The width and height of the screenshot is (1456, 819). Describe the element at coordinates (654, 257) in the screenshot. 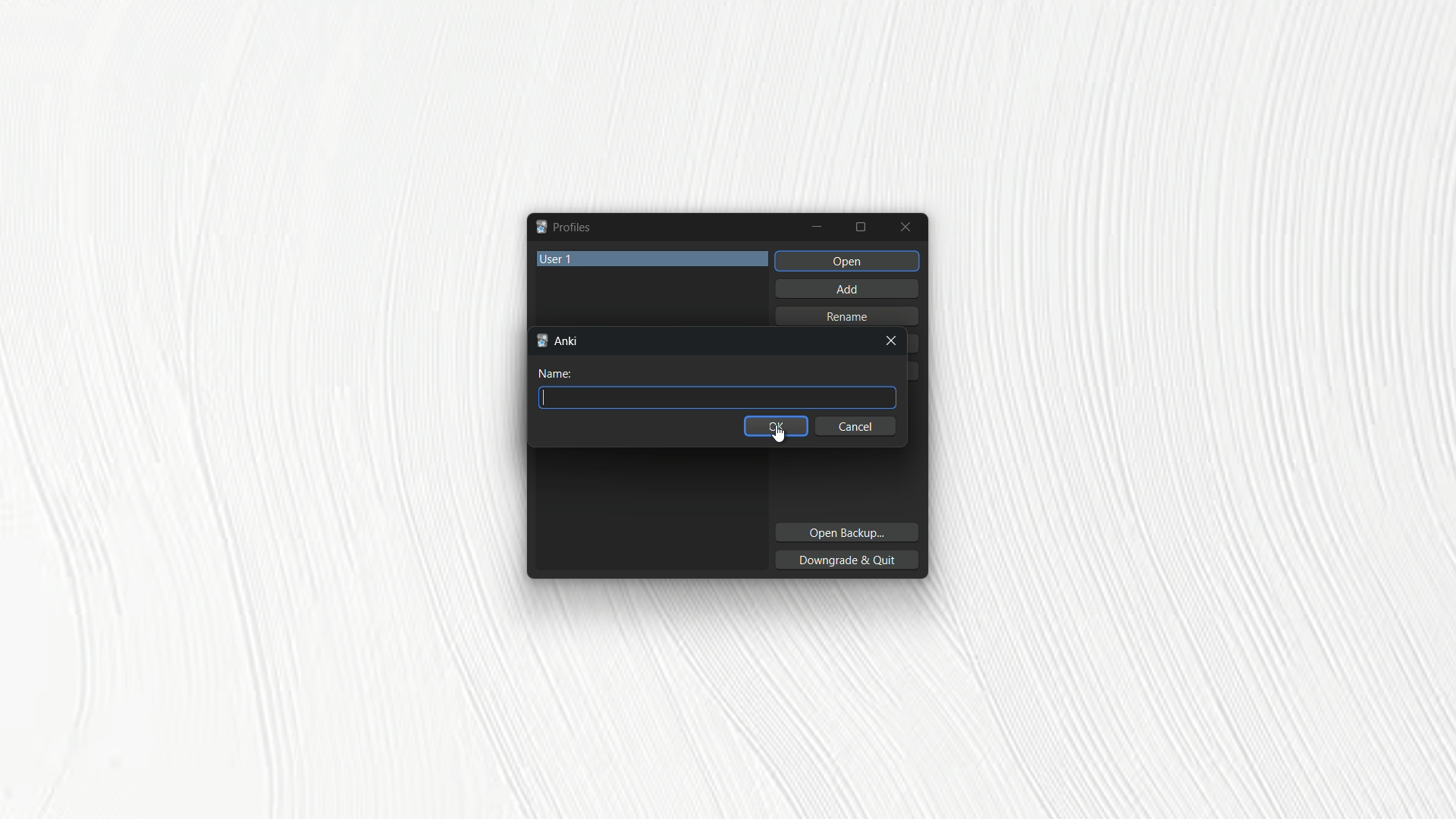

I see `User1` at that location.